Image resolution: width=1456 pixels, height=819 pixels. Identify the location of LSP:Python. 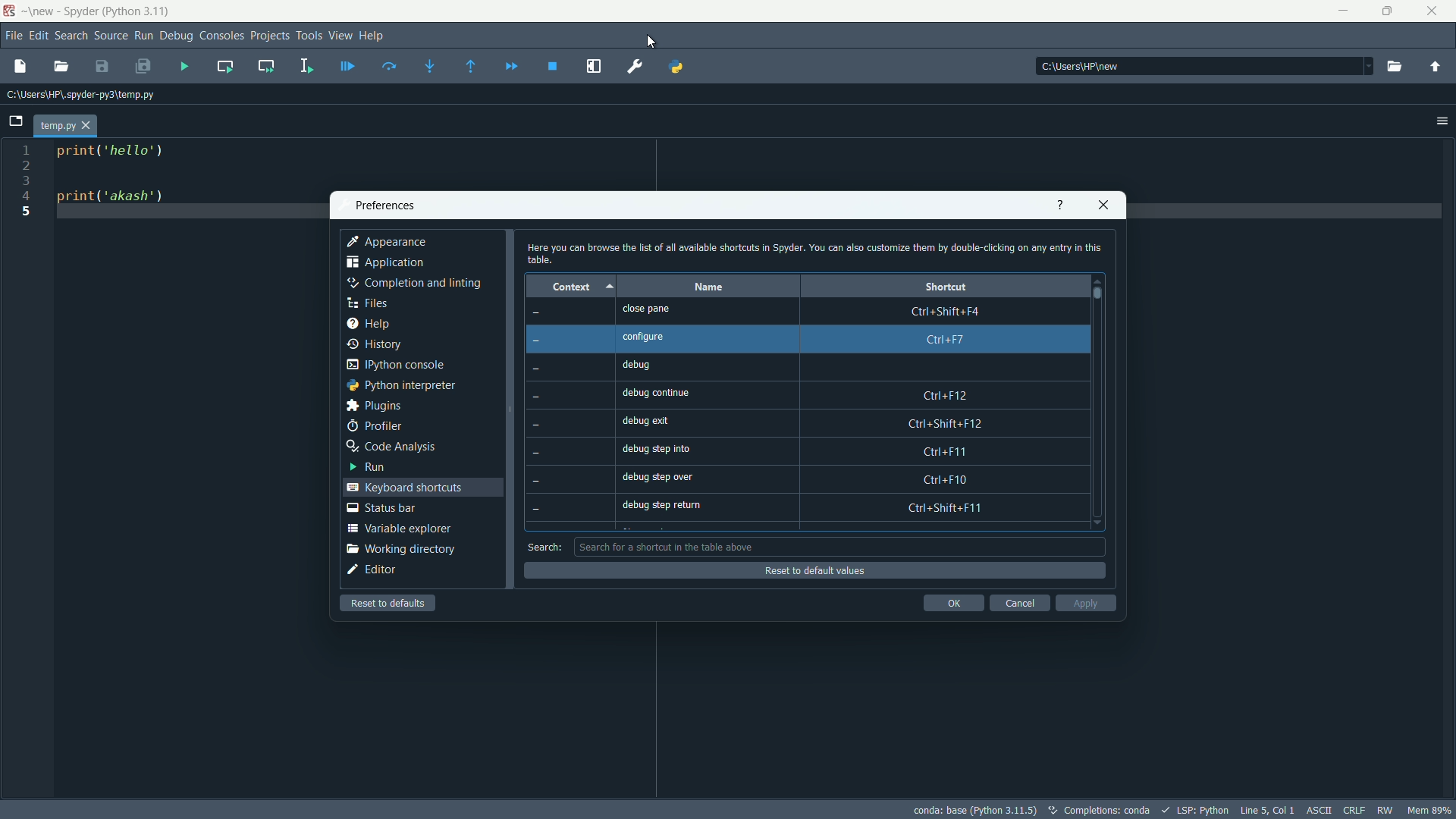
(1203, 810).